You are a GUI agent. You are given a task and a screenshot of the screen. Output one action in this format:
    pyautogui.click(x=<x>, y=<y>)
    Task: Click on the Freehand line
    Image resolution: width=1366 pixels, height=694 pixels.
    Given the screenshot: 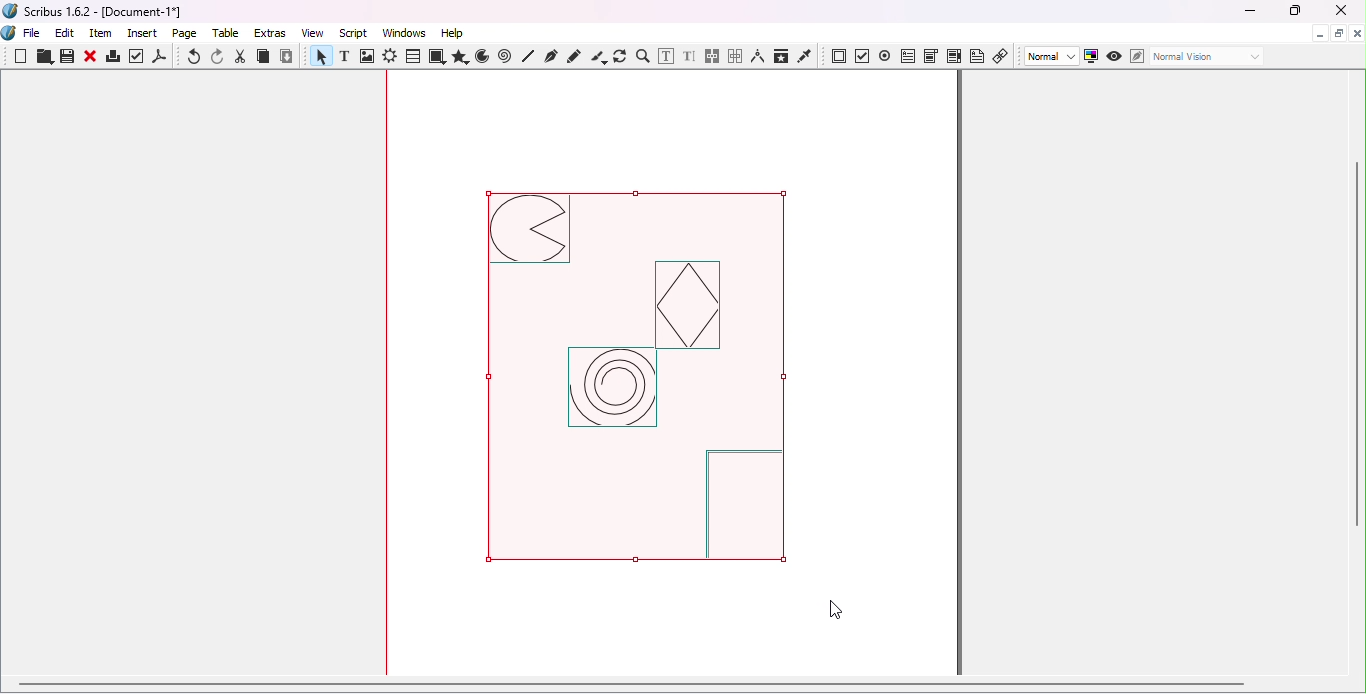 What is the action you would take?
    pyautogui.click(x=575, y=56)
    